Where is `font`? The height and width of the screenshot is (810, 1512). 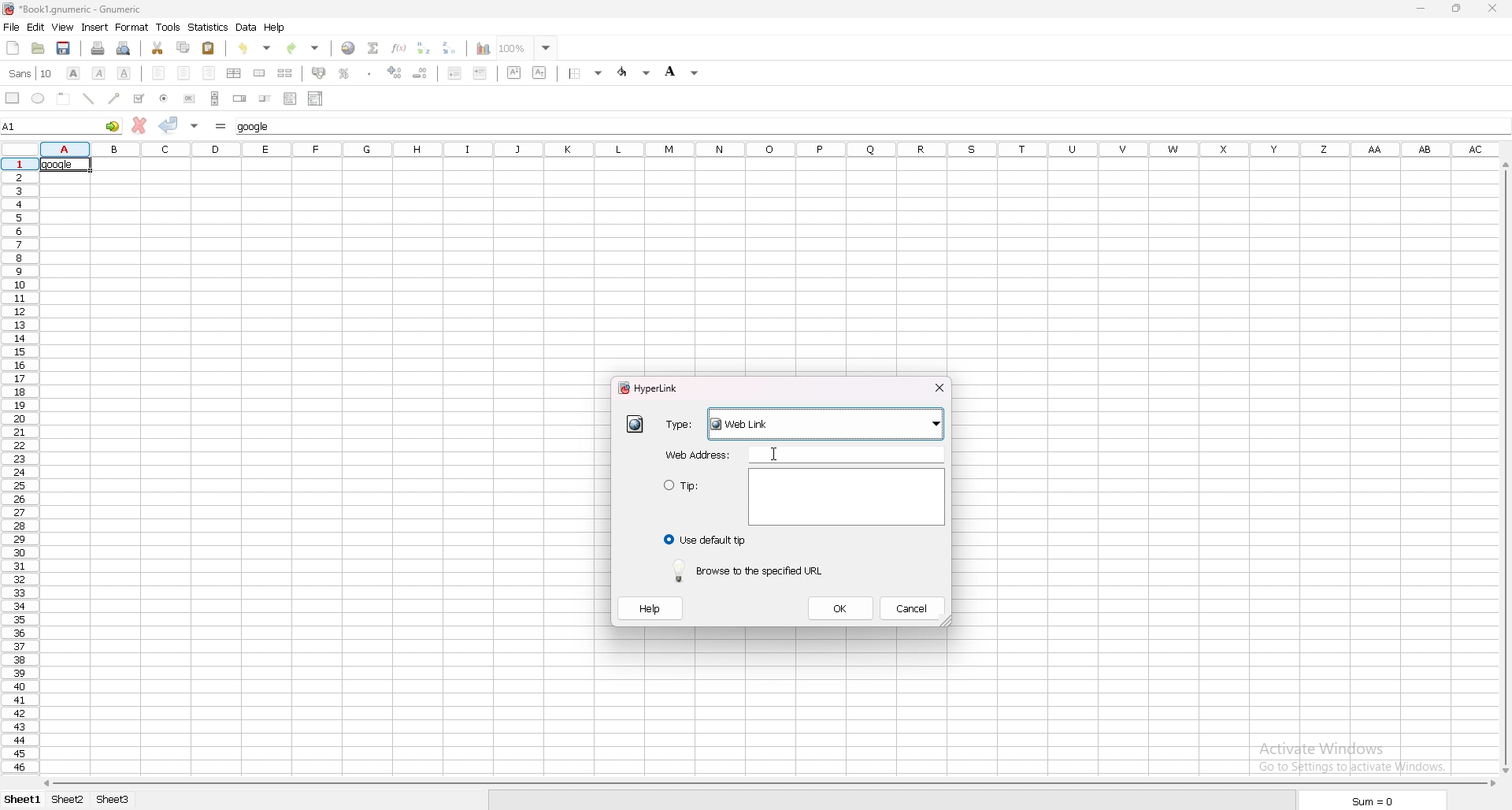 font is located at coordinates (31, 73).